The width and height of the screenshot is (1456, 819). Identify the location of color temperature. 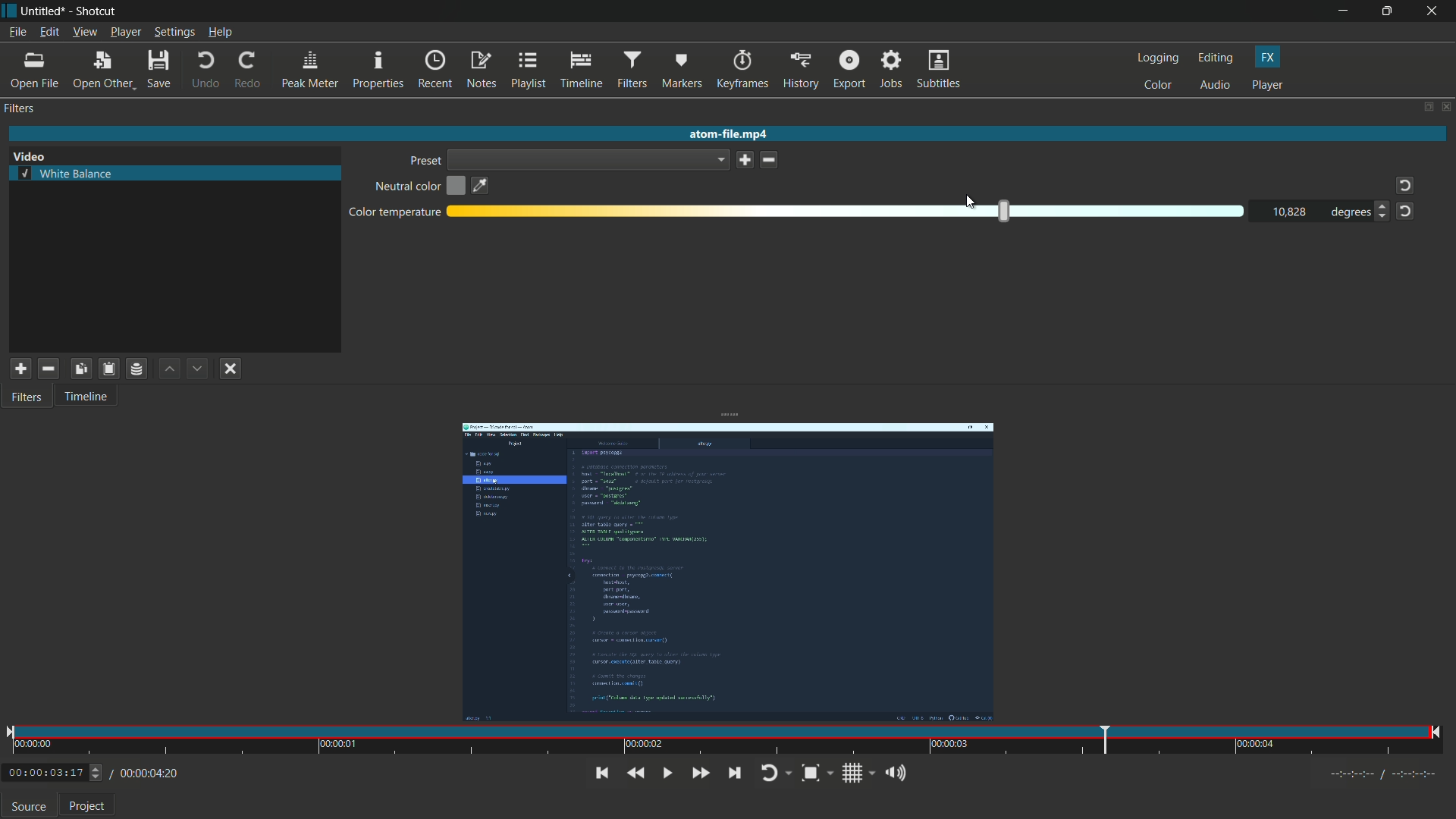
(394, 213).